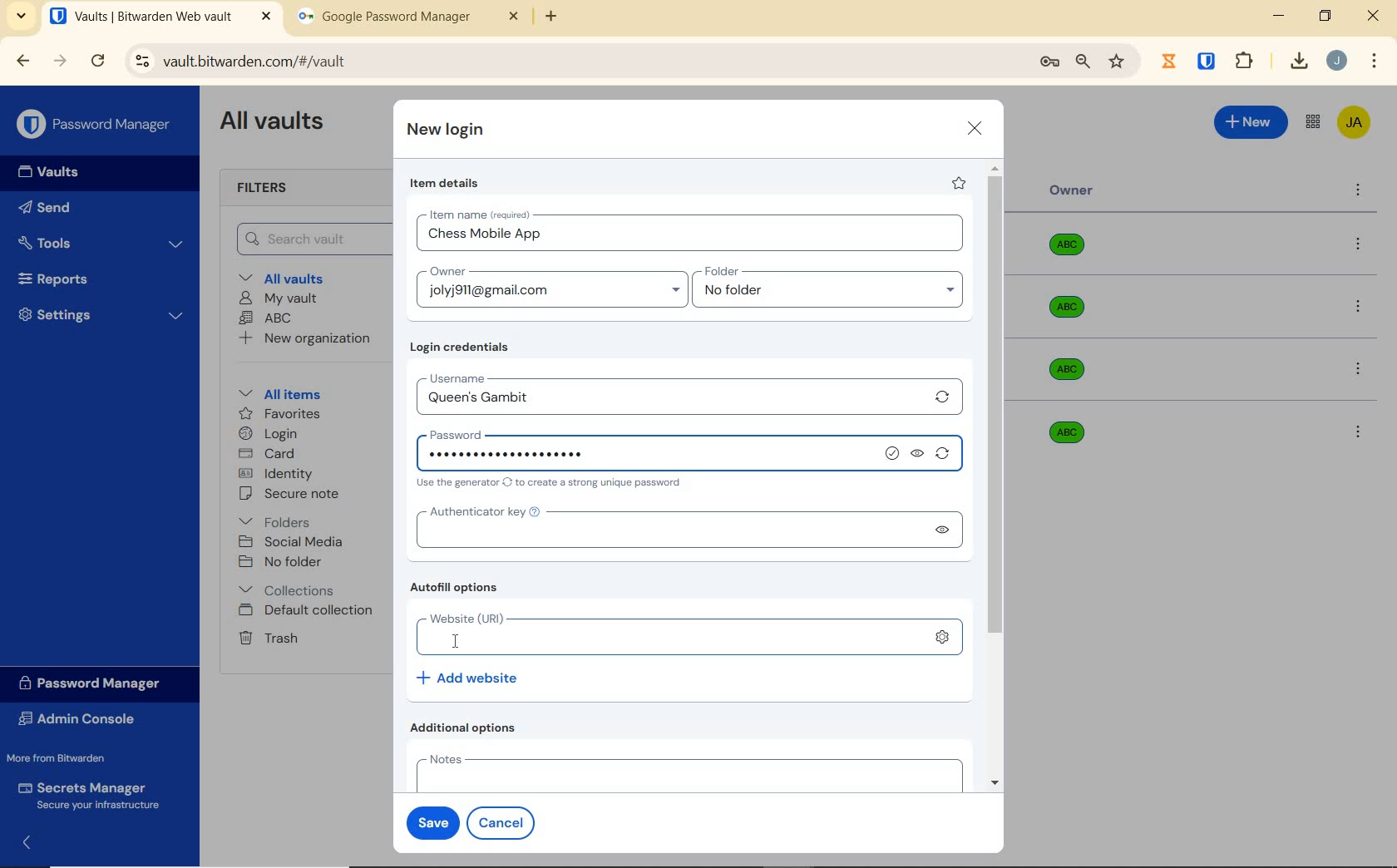  Describe the element at coordinates (997, 476) in the screenshot. I see `scrollbar` at that location.